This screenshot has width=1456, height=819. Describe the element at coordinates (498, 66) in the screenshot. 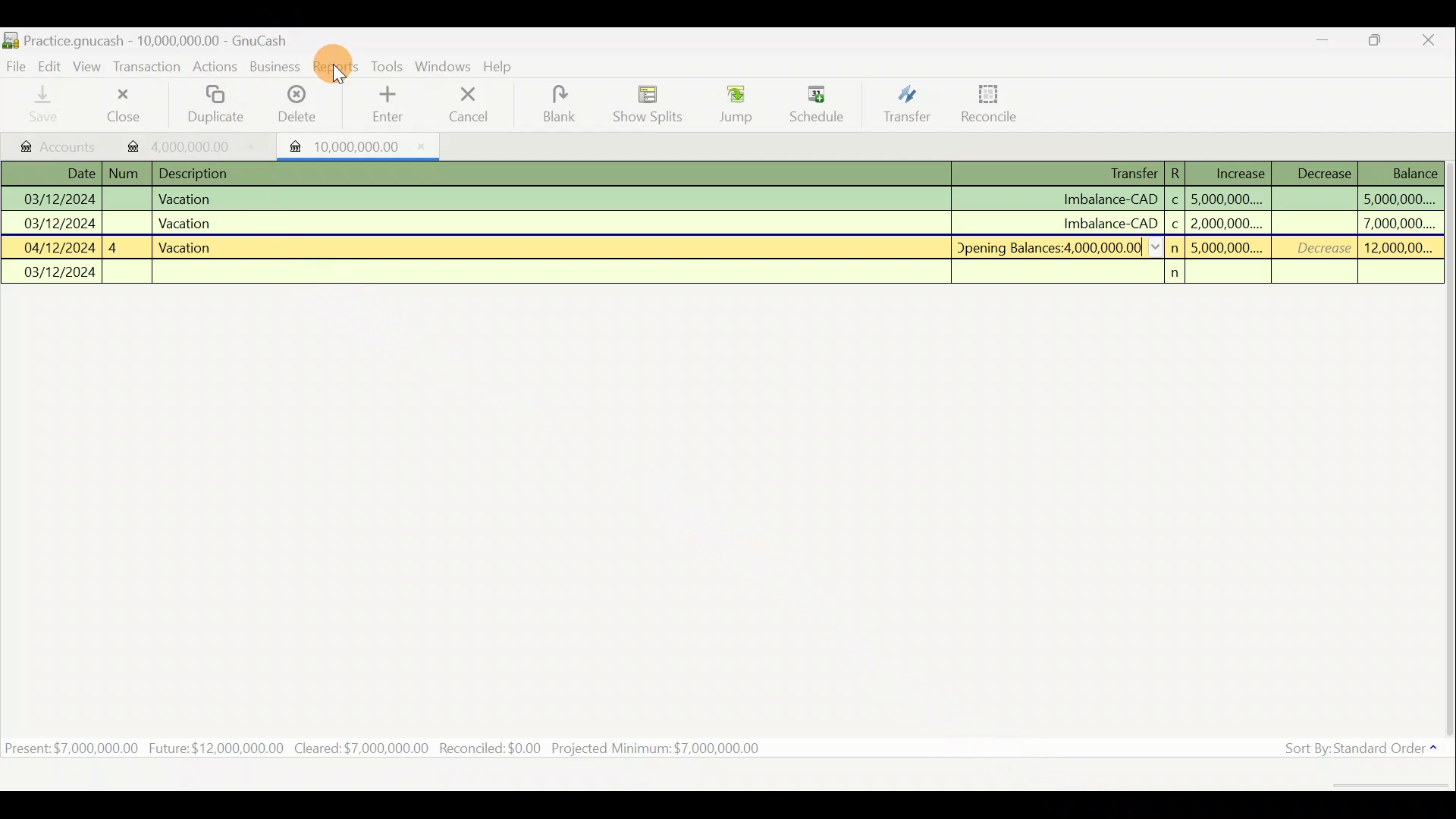

I see `Help` at that location.